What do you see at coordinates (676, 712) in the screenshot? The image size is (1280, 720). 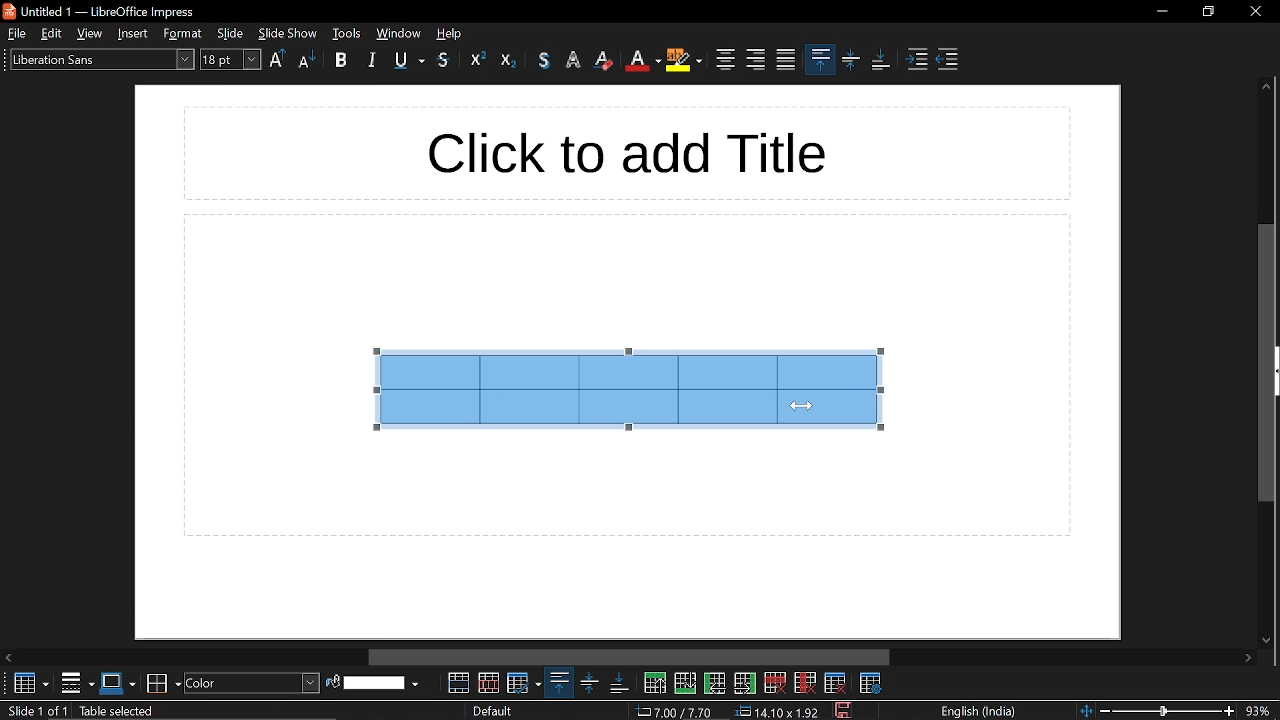 I see `cursor co-ordinate` at bounding box center [676, 712].